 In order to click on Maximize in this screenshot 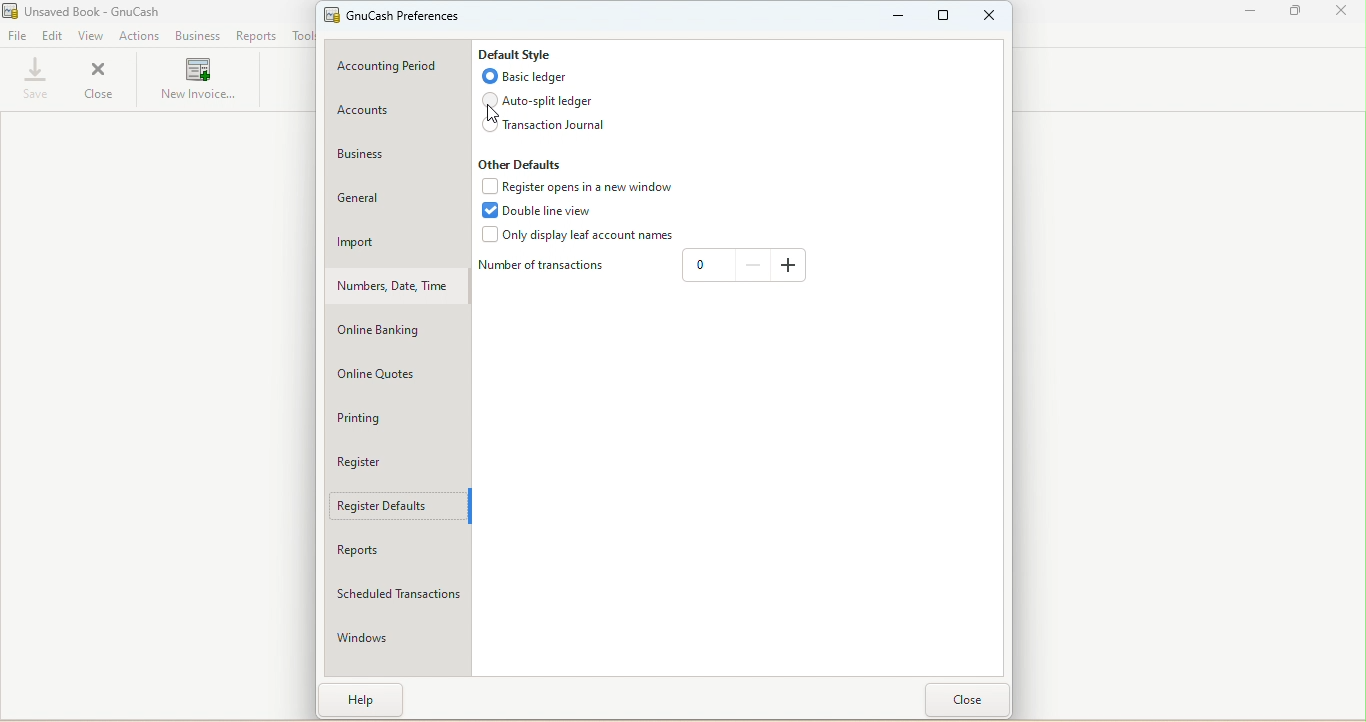, I will do `click(1295, 15)`.